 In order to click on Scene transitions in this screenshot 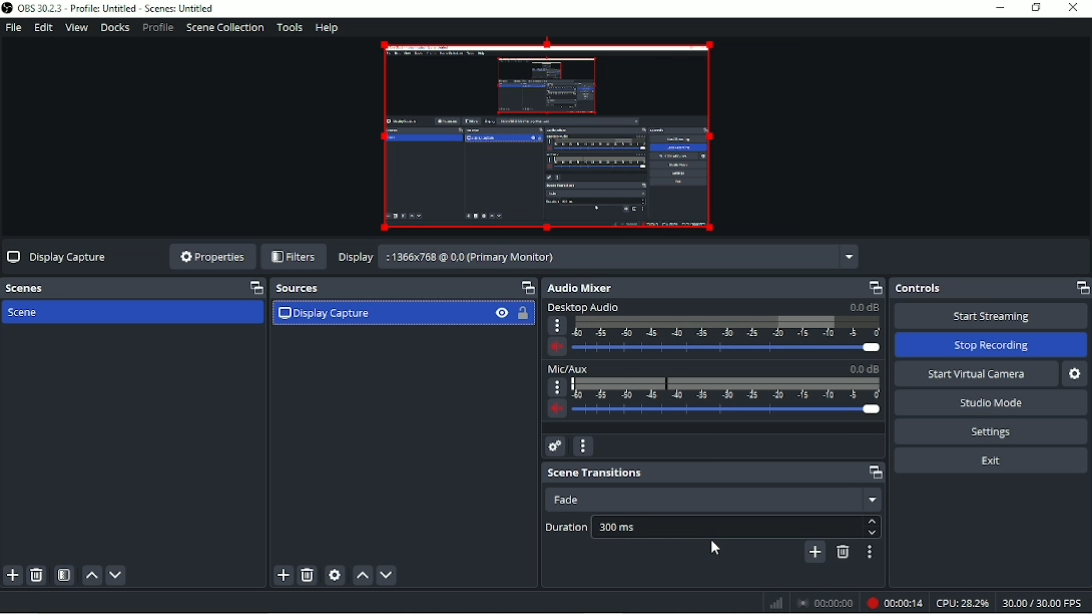, I will do `click(716, 473)`.